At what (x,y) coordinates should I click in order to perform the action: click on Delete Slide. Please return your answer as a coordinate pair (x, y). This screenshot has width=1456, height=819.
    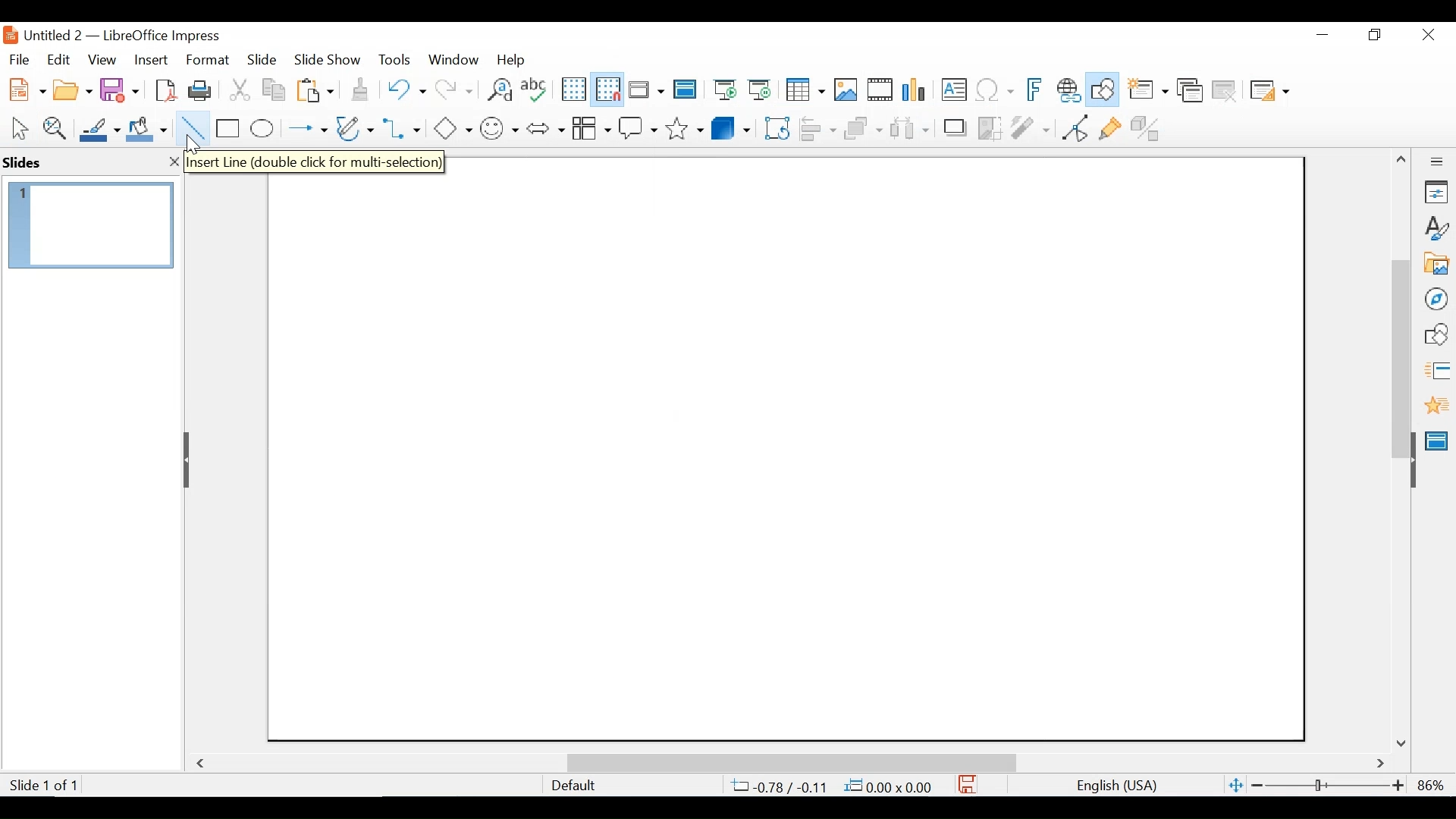
    Looking at the image, I should click on (1223, 91).